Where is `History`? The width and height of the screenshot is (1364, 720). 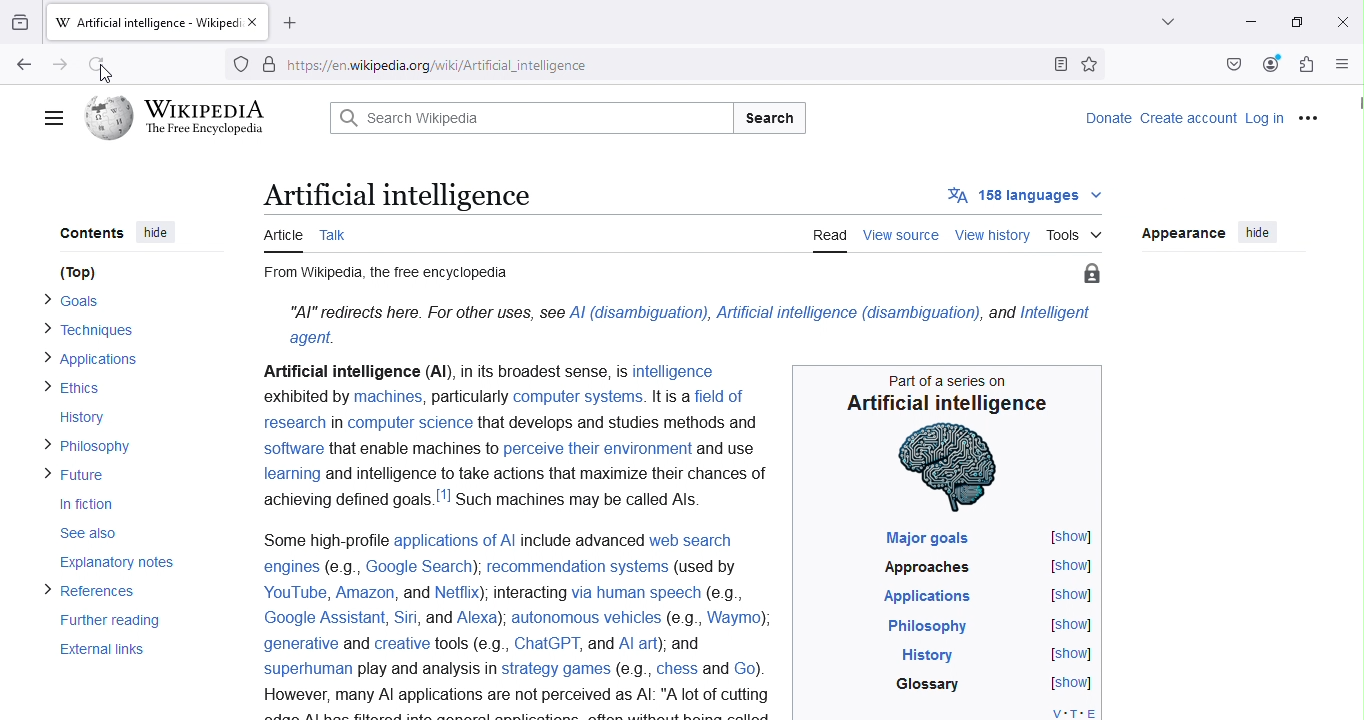 History is located at coordinates (73, 421).